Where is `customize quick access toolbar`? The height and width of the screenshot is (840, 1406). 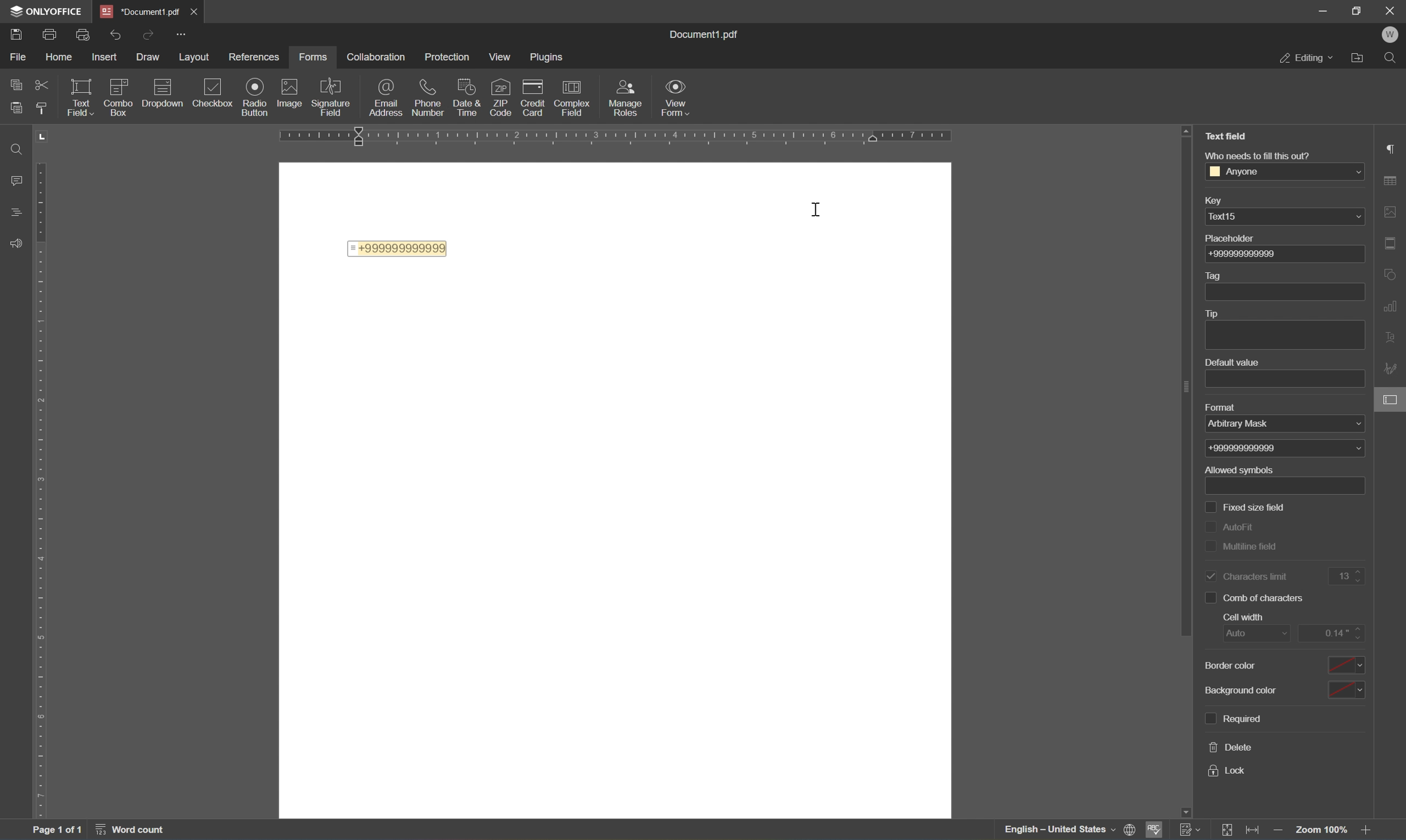 customize quick access toolbar is located at coordinates (180, 33).